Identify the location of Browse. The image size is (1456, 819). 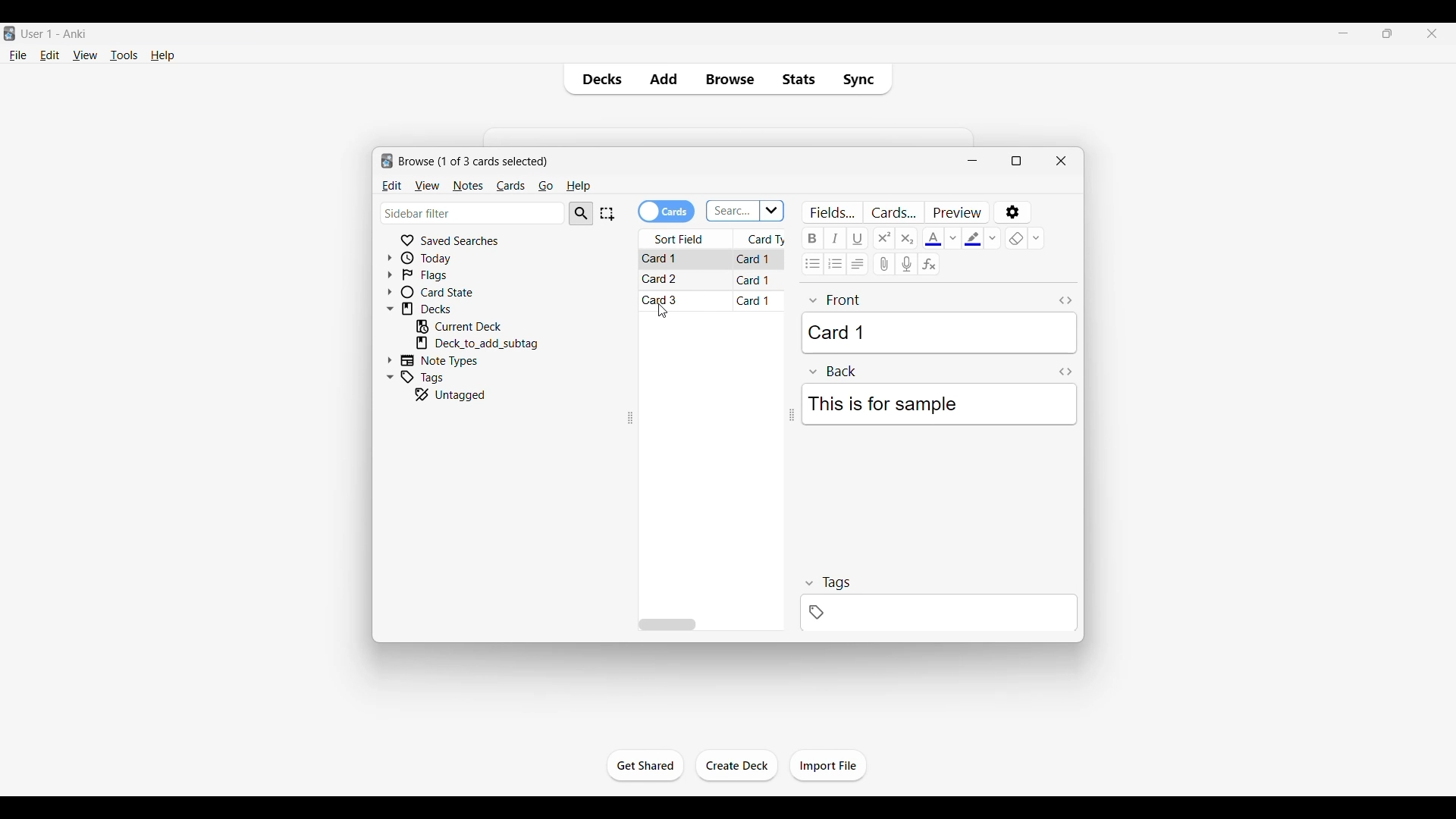
(730, 79).